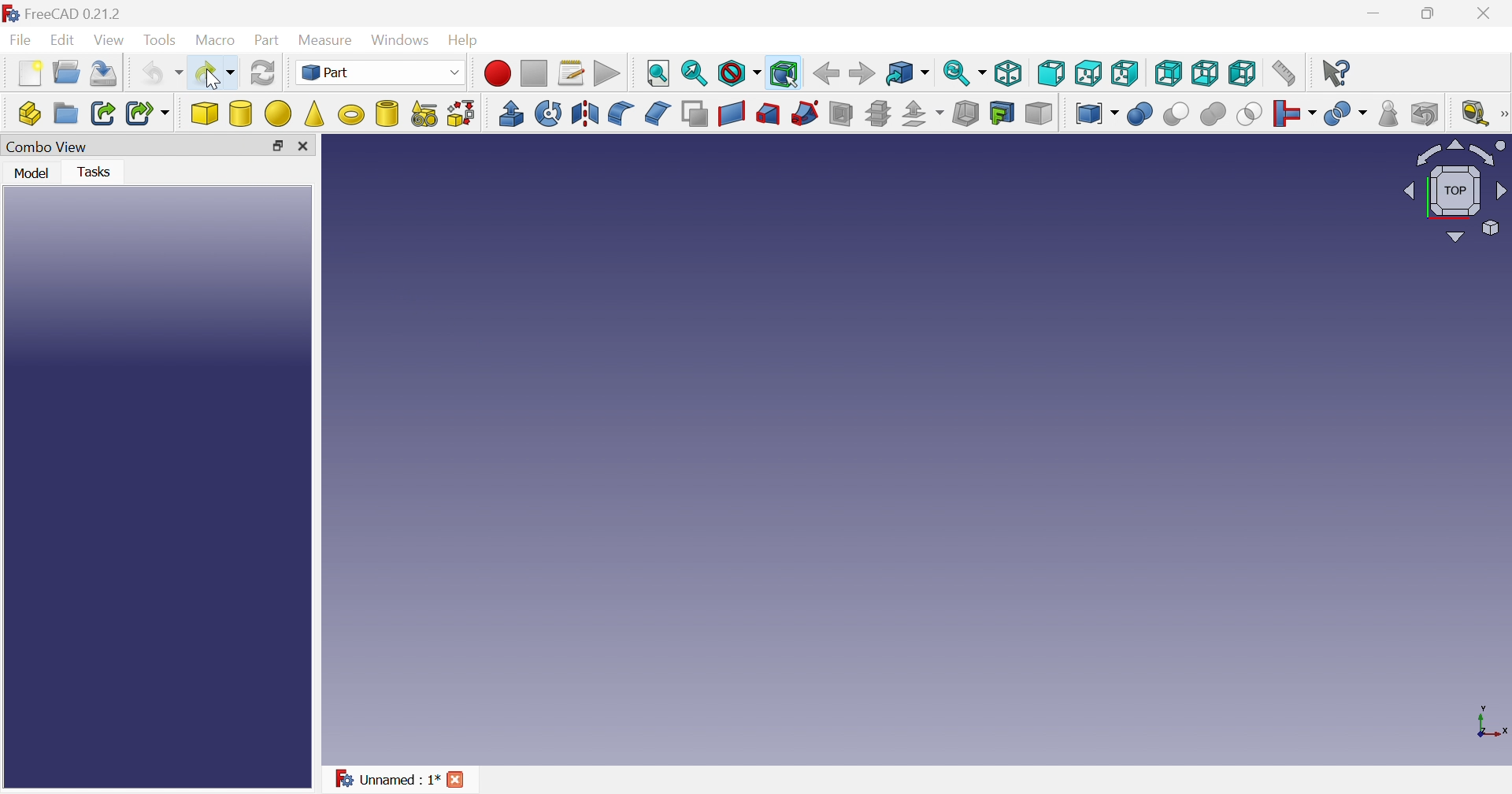  What do you see at coordinates (693, 74) in the screenshot?
I see `Fit selection` at bounding box center [693, 74].